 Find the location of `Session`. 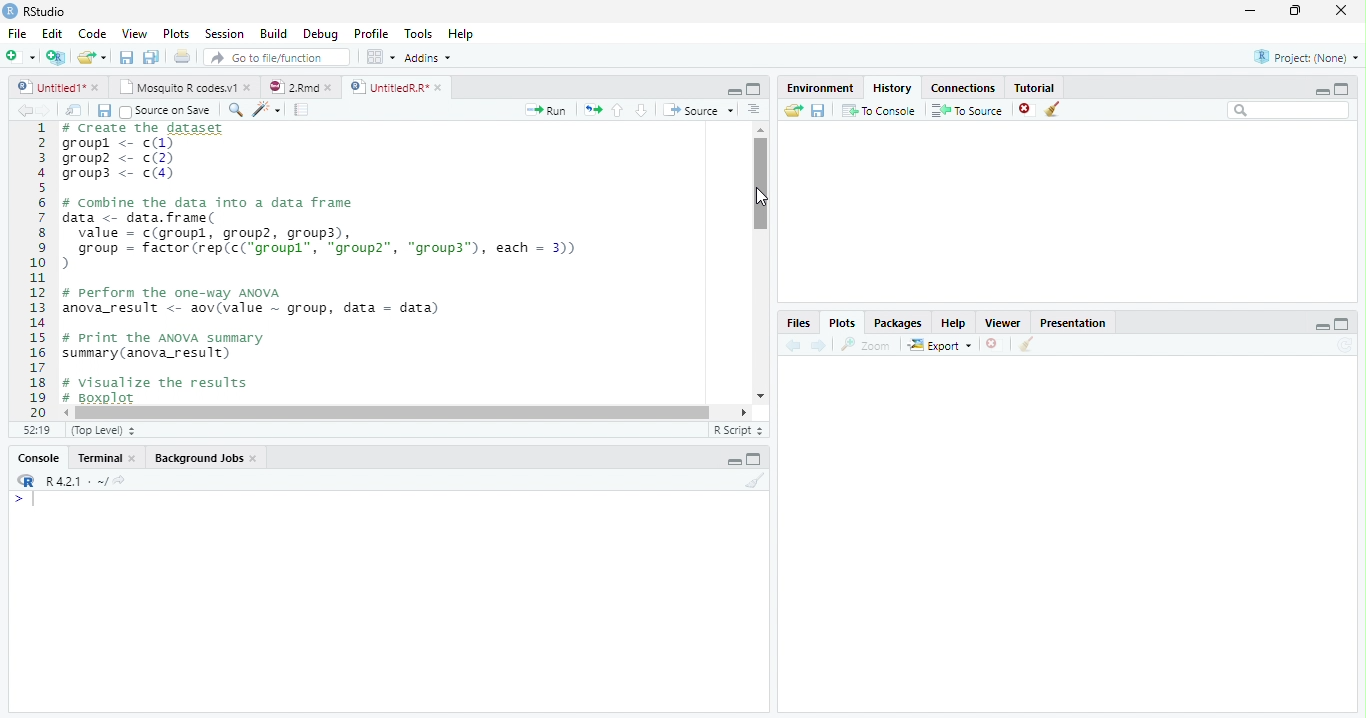

Session is located at coordinates (225, 34).